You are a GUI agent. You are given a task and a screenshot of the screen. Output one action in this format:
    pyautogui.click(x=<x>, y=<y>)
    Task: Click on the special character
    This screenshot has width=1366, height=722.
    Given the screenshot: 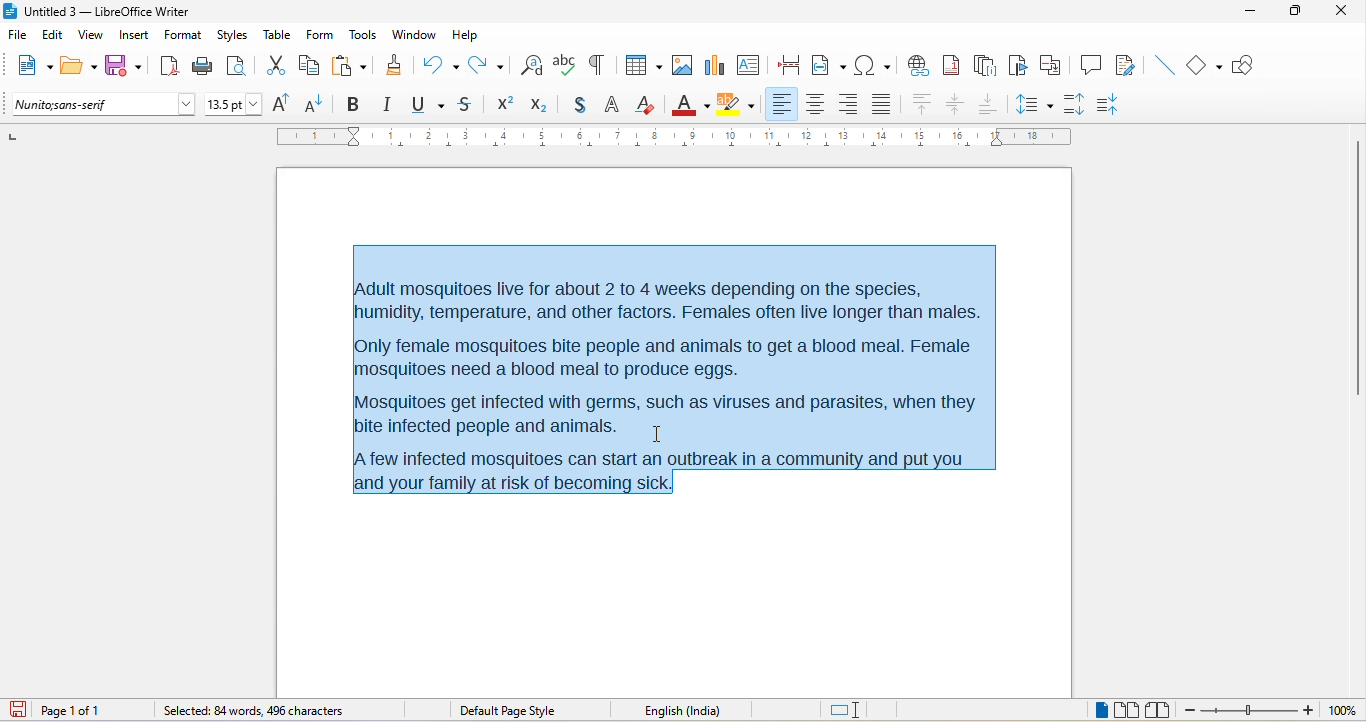 What is the action you would take?
    pyautogui.click(x=872, y=64)
    